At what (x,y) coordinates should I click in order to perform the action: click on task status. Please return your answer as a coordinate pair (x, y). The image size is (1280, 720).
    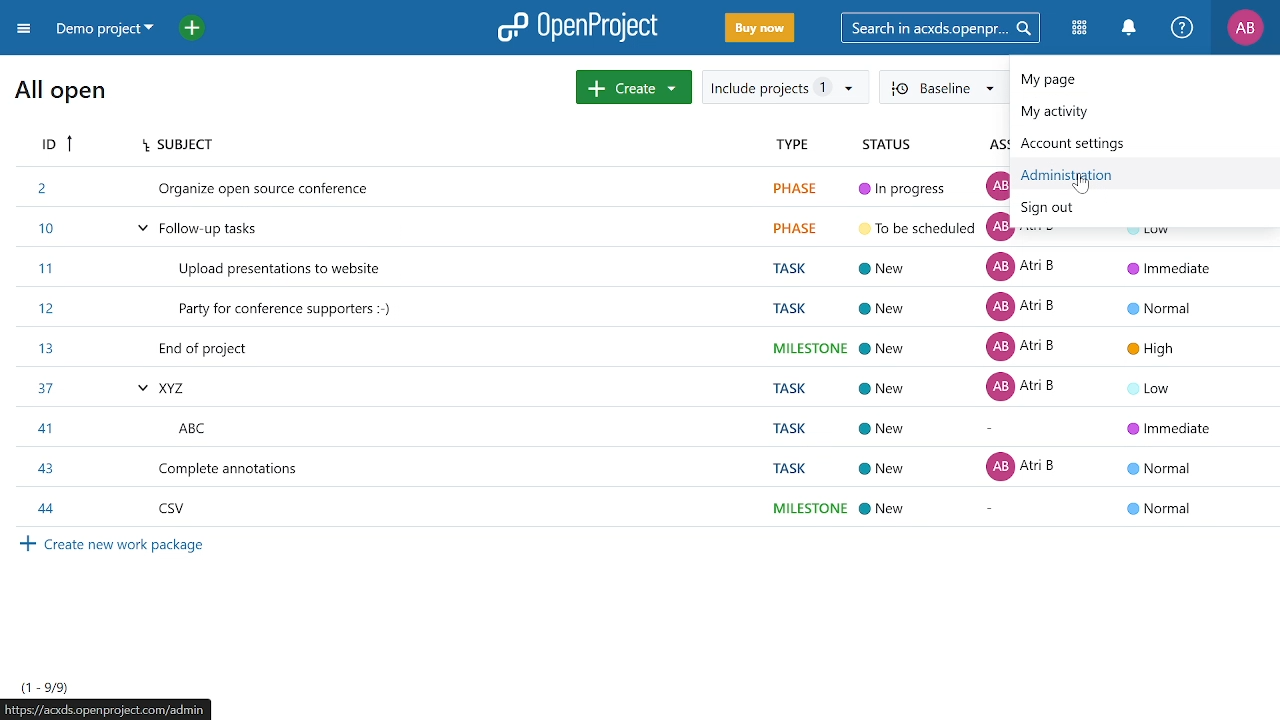
    Looking at the image, I should click on (912, 347).